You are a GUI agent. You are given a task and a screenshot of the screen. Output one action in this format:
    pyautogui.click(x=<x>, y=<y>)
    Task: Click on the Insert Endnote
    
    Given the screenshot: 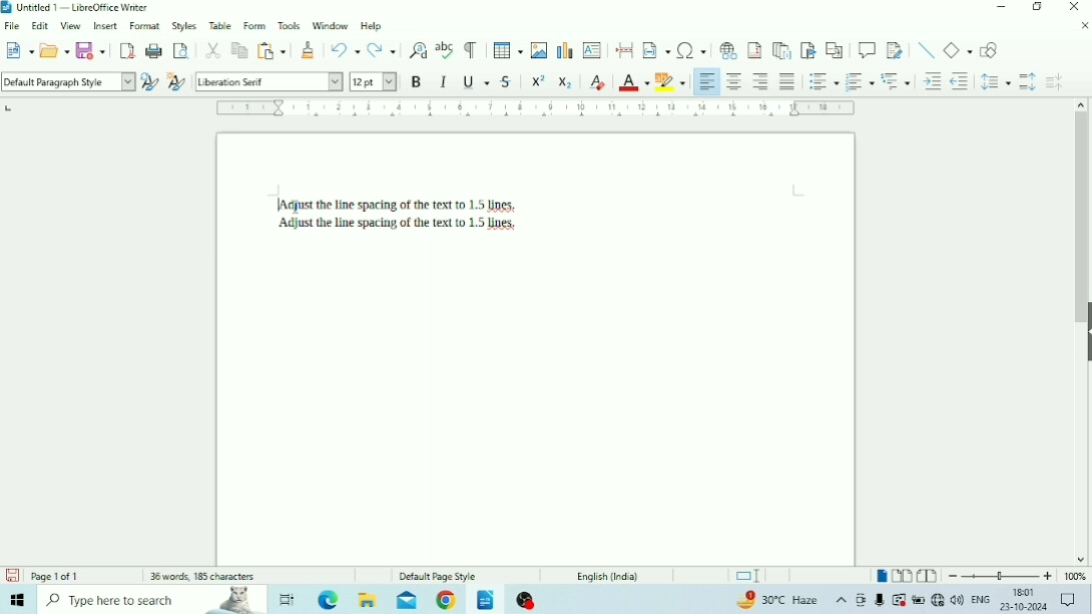 What is the action you would take?
    pyautogui.click(x=781, y=49)
    